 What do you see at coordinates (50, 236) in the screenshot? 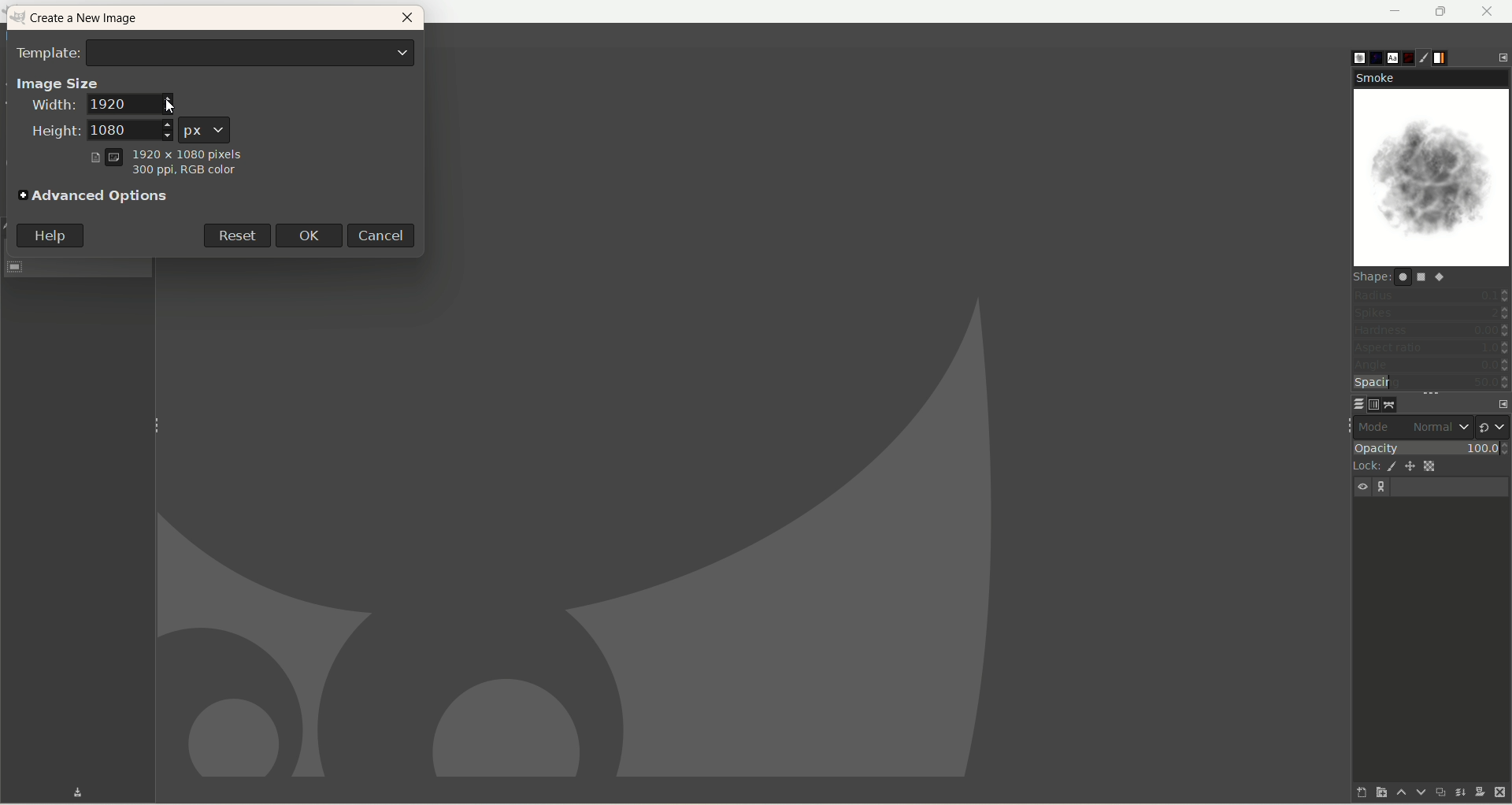
I see `help` at bounding box center [50, 236].